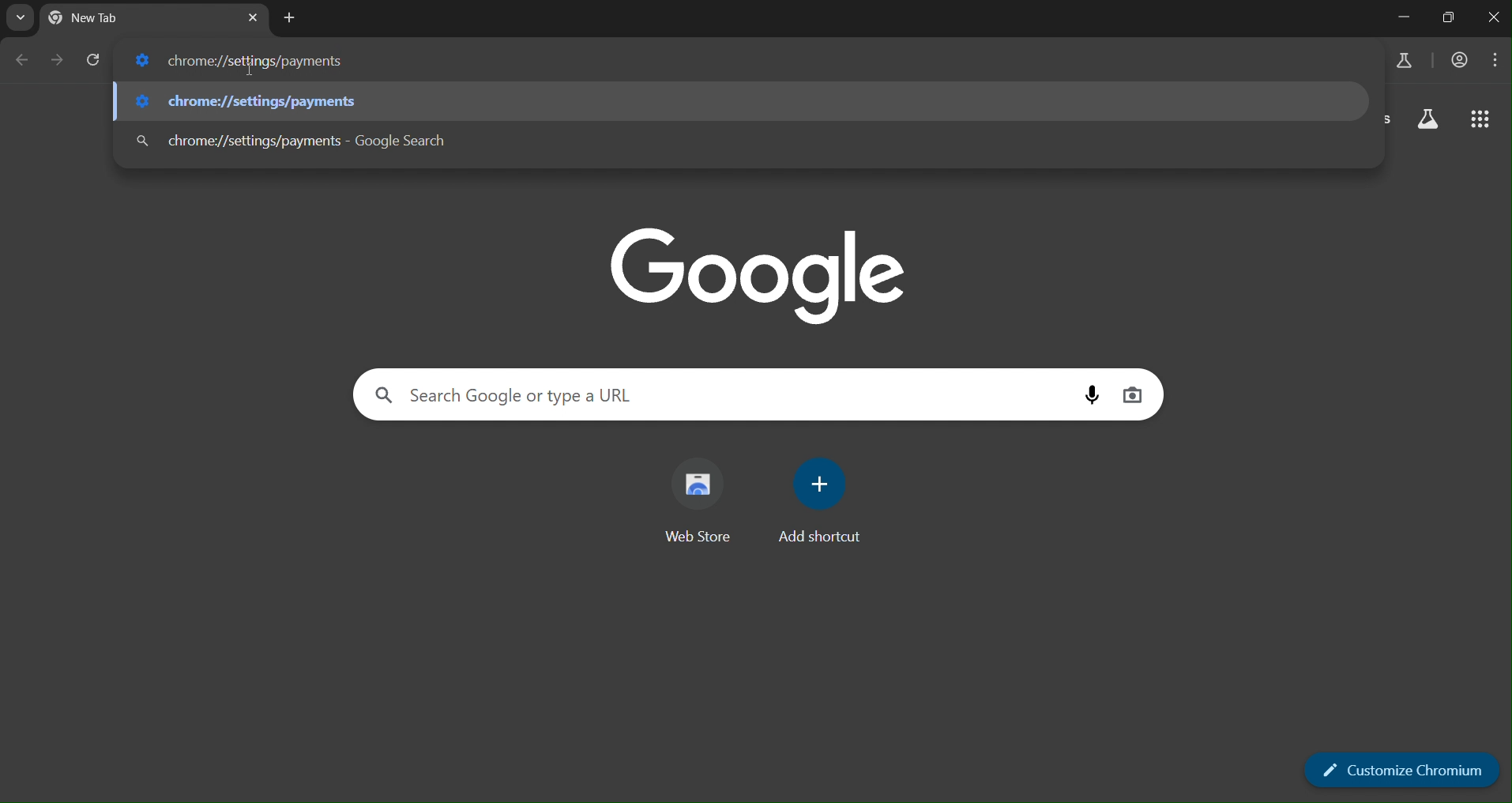  What do you see at coordinates (125, 19) in the screenshot?
I see `current tab` at bounding box center [125, 19].